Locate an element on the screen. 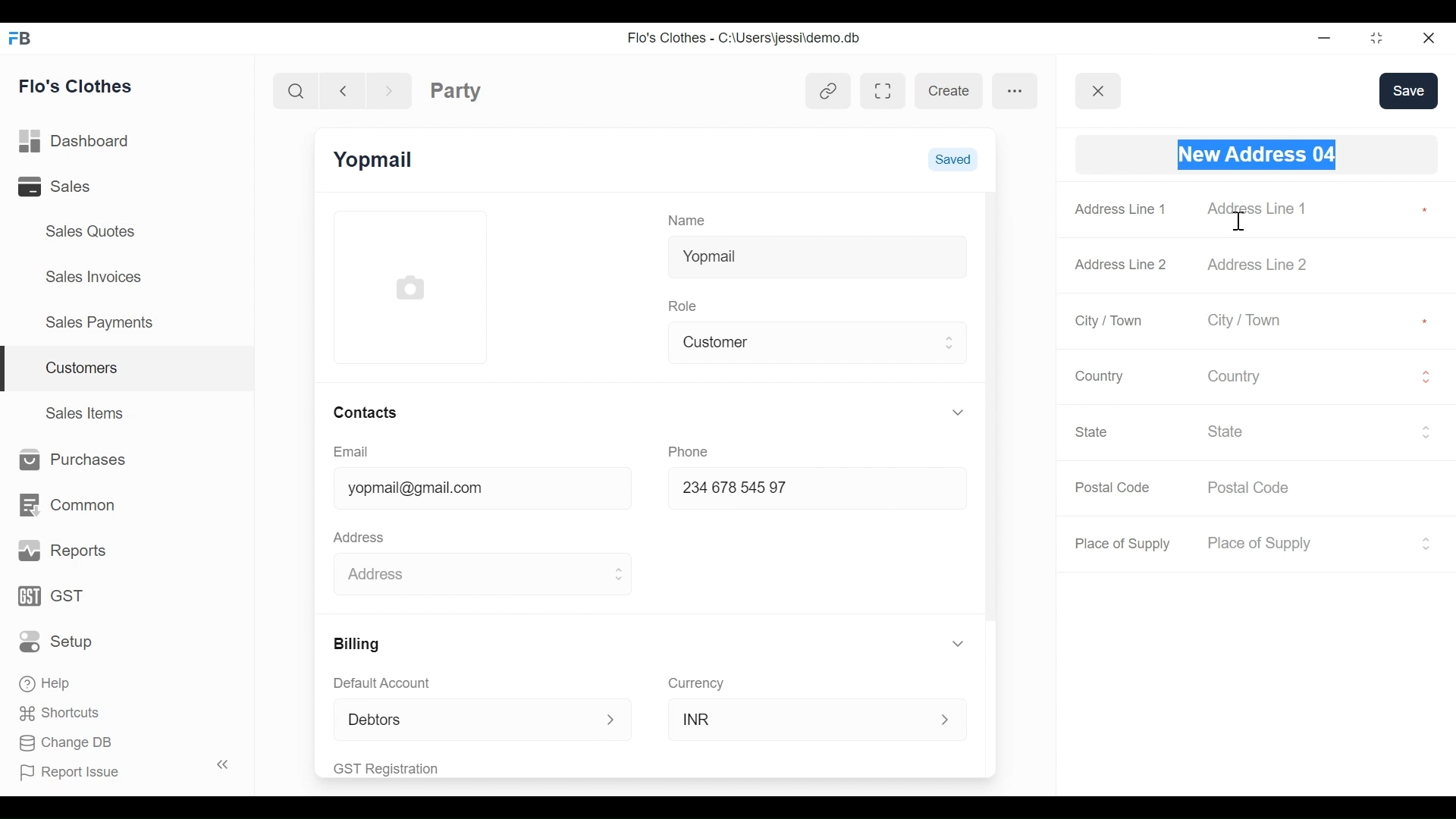 The height and width of the screenshot is (819, 1456). Sales Quotes is located at coordinates (92, 231).